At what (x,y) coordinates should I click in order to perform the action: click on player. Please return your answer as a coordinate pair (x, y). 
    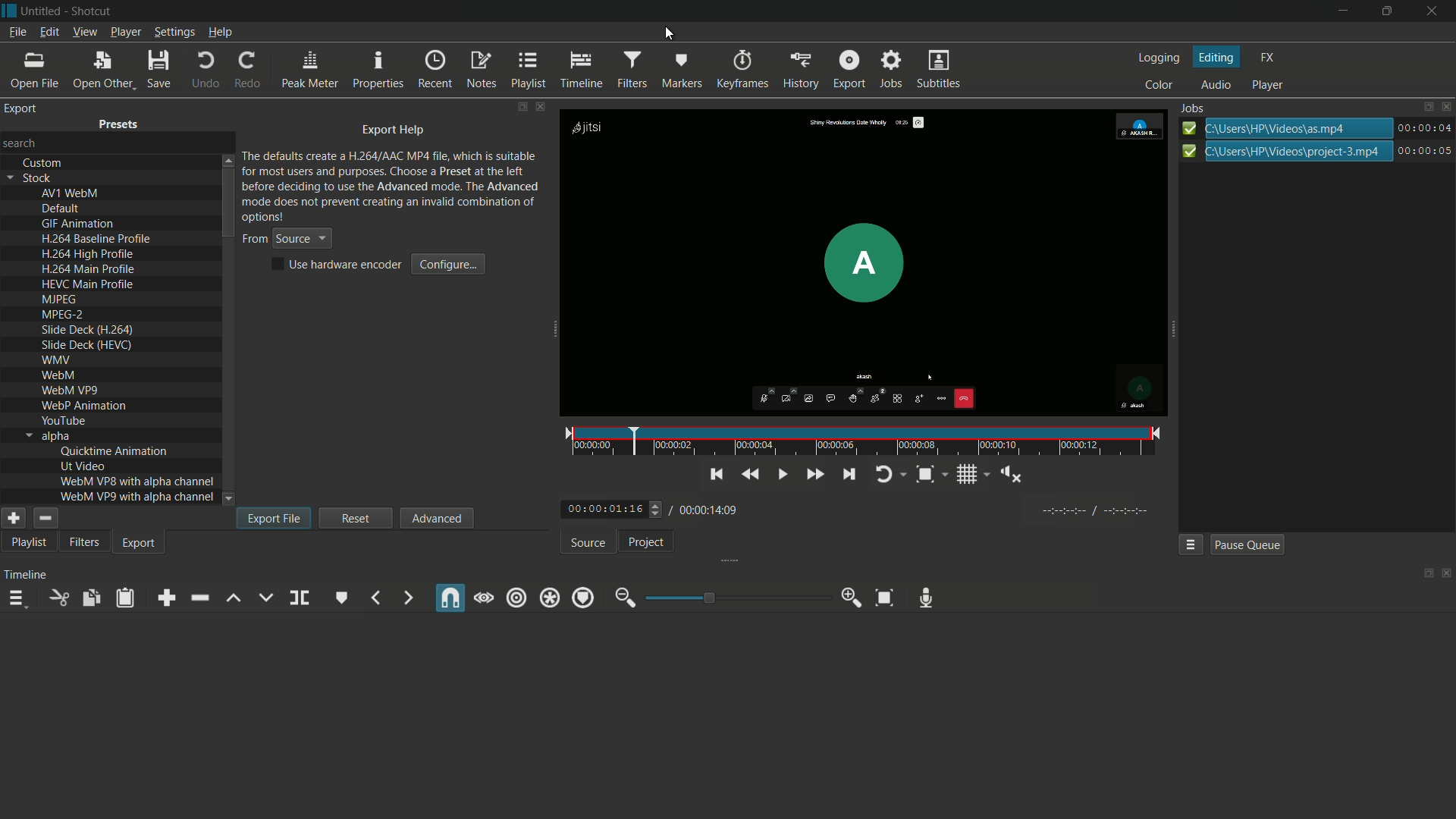
    Looking at the image, I should click on (1269, 86).